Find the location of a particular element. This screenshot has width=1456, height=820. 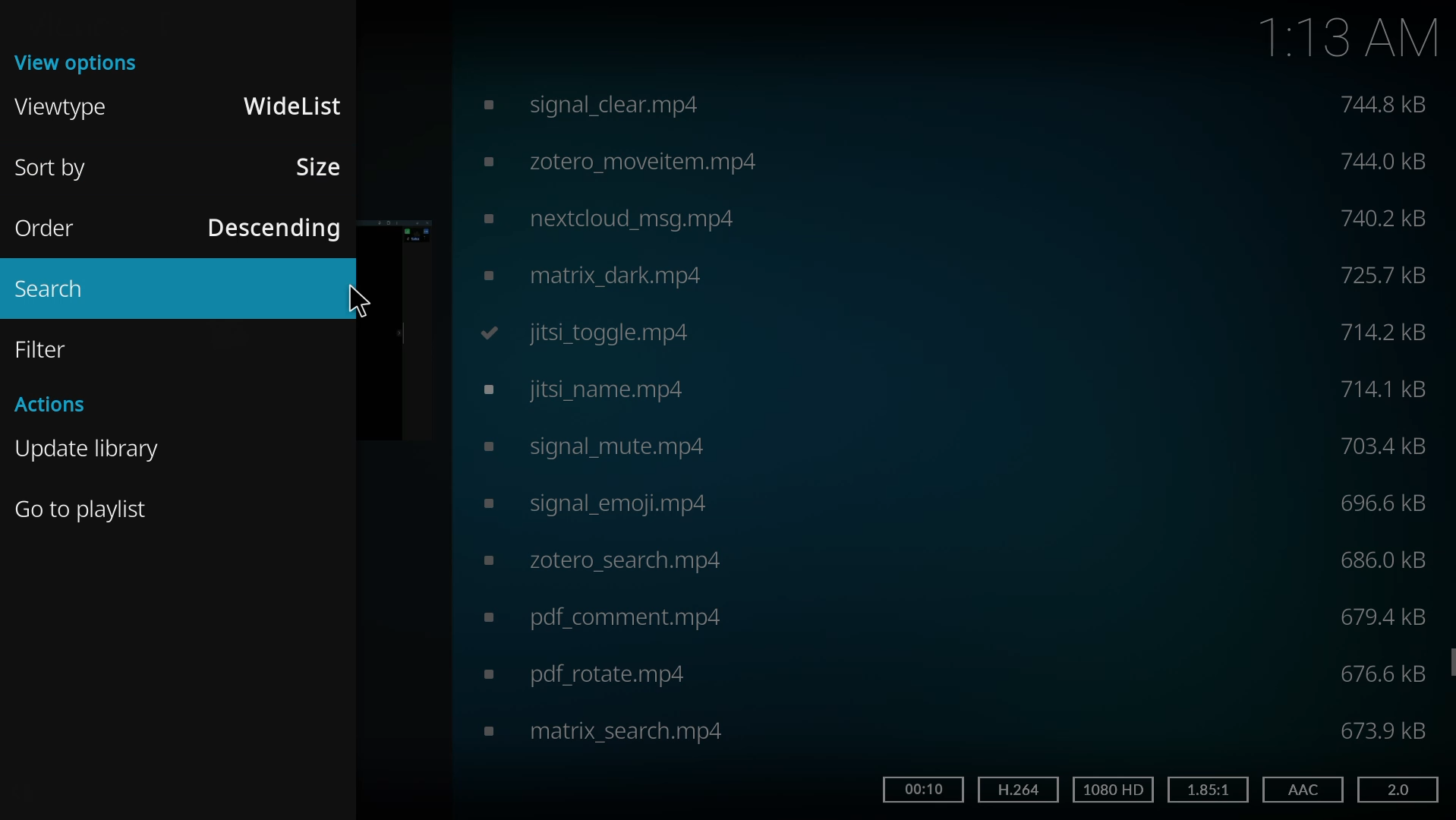

Go to playlist is located at coordinates (83, 513).